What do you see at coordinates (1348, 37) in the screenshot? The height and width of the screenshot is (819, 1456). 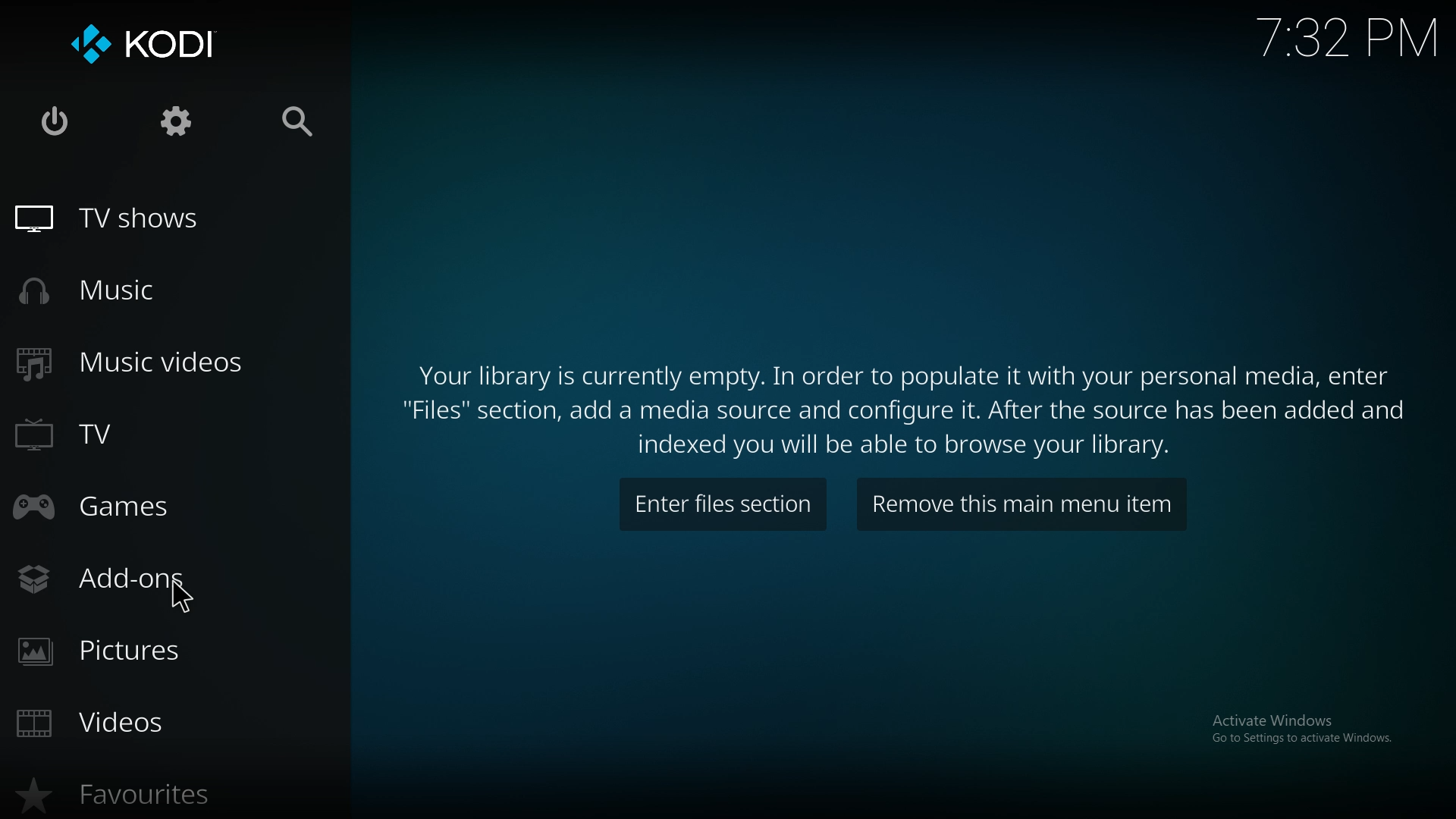 I see `time` at bounding box center [1348, 37].